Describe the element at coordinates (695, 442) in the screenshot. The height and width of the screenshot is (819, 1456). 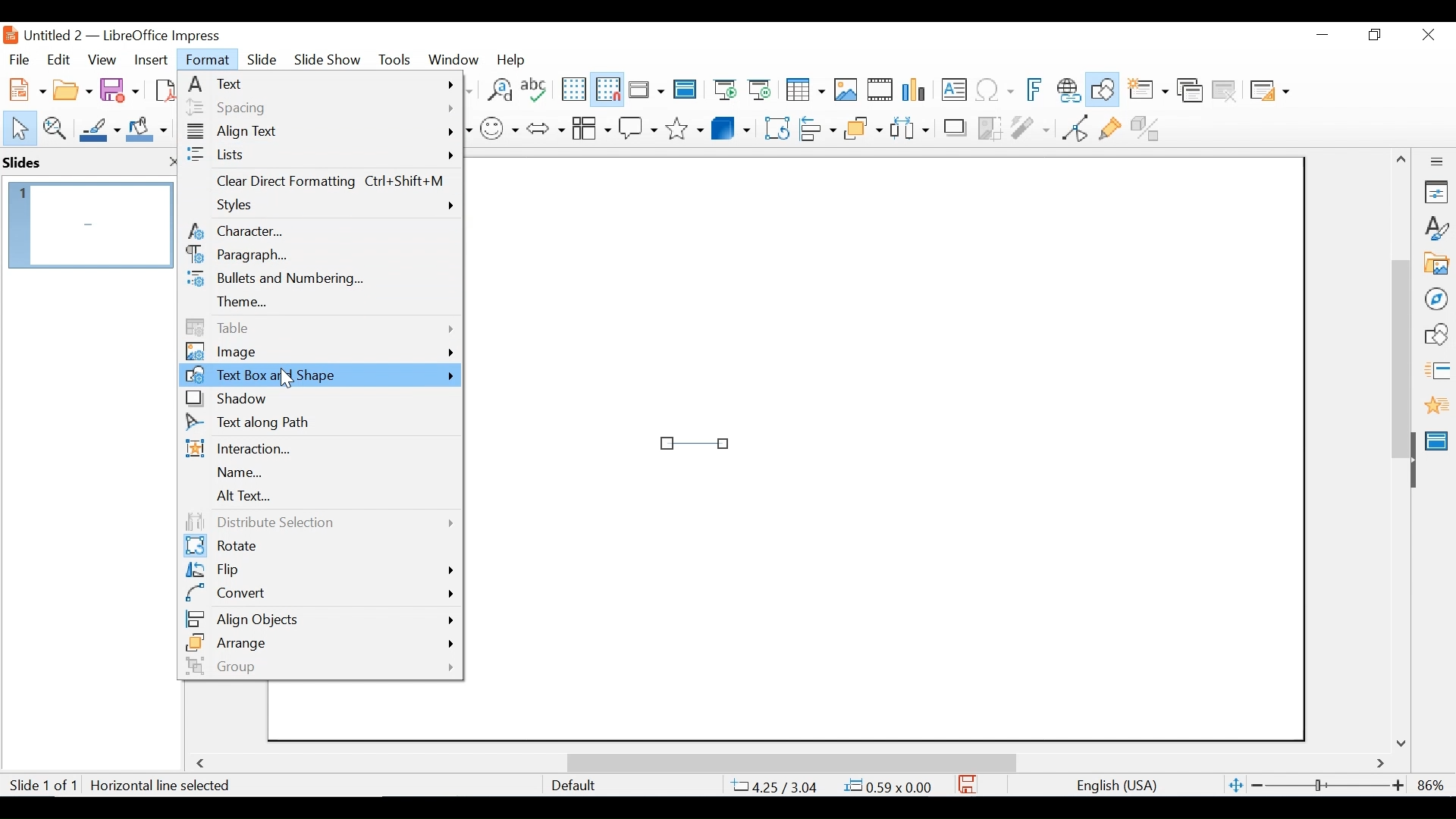
I see `Horizontal Line` at that location.